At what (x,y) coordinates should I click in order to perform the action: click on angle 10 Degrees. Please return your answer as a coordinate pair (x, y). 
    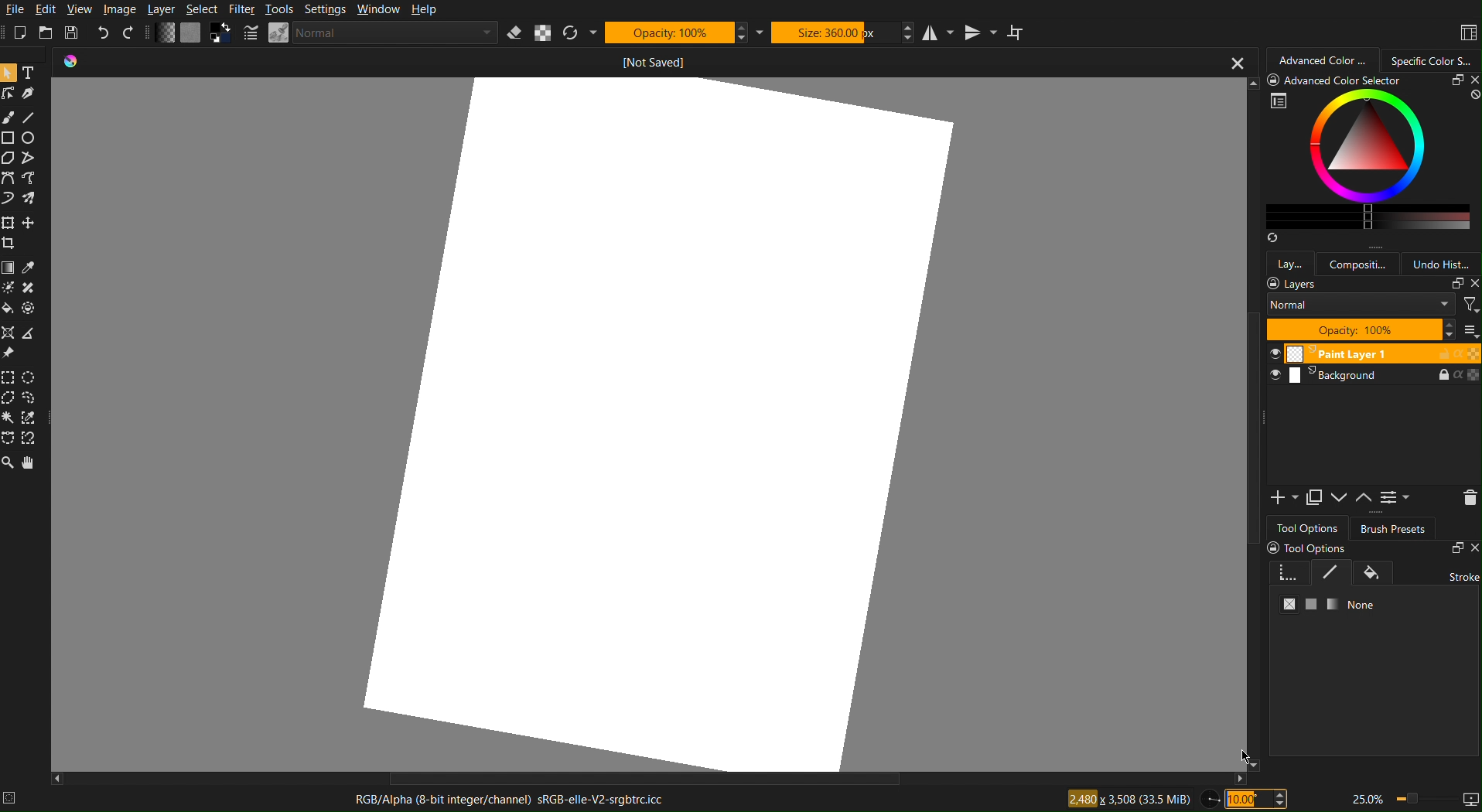
    Looking at the image, I should click on (1257, 797).